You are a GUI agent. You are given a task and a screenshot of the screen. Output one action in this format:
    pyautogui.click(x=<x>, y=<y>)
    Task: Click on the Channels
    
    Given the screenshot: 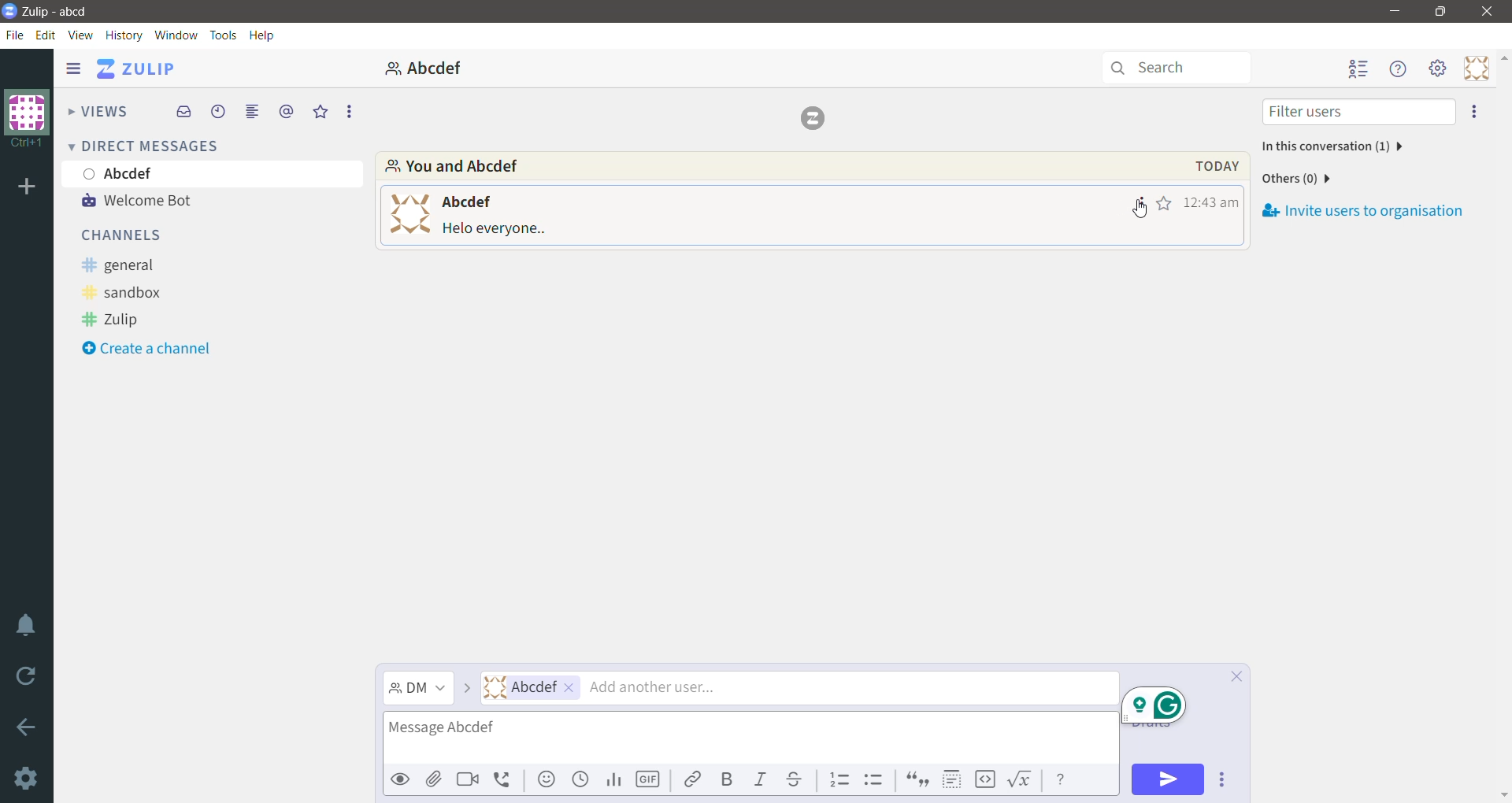 What is the action you would take?
    pyautogui.click(x=128, y=237)
    